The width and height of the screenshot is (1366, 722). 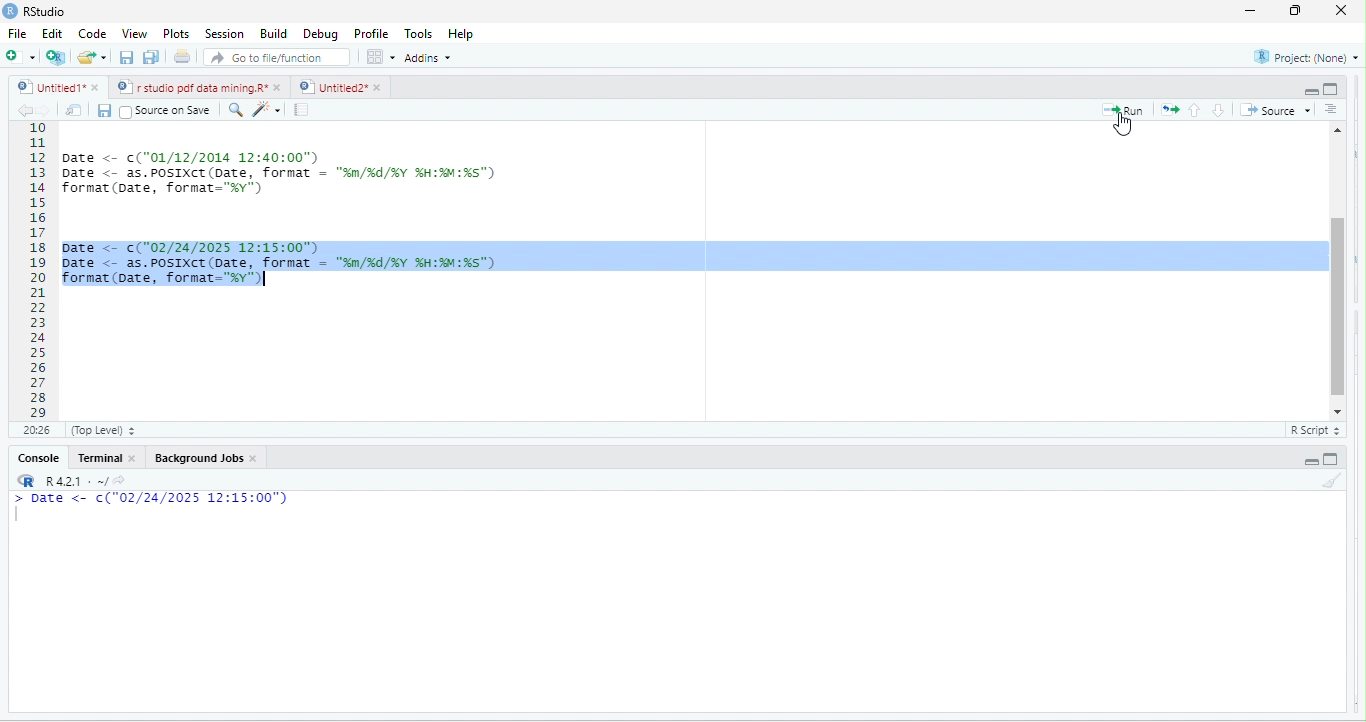 I want to click on code tools, so click(x=268, y=110).